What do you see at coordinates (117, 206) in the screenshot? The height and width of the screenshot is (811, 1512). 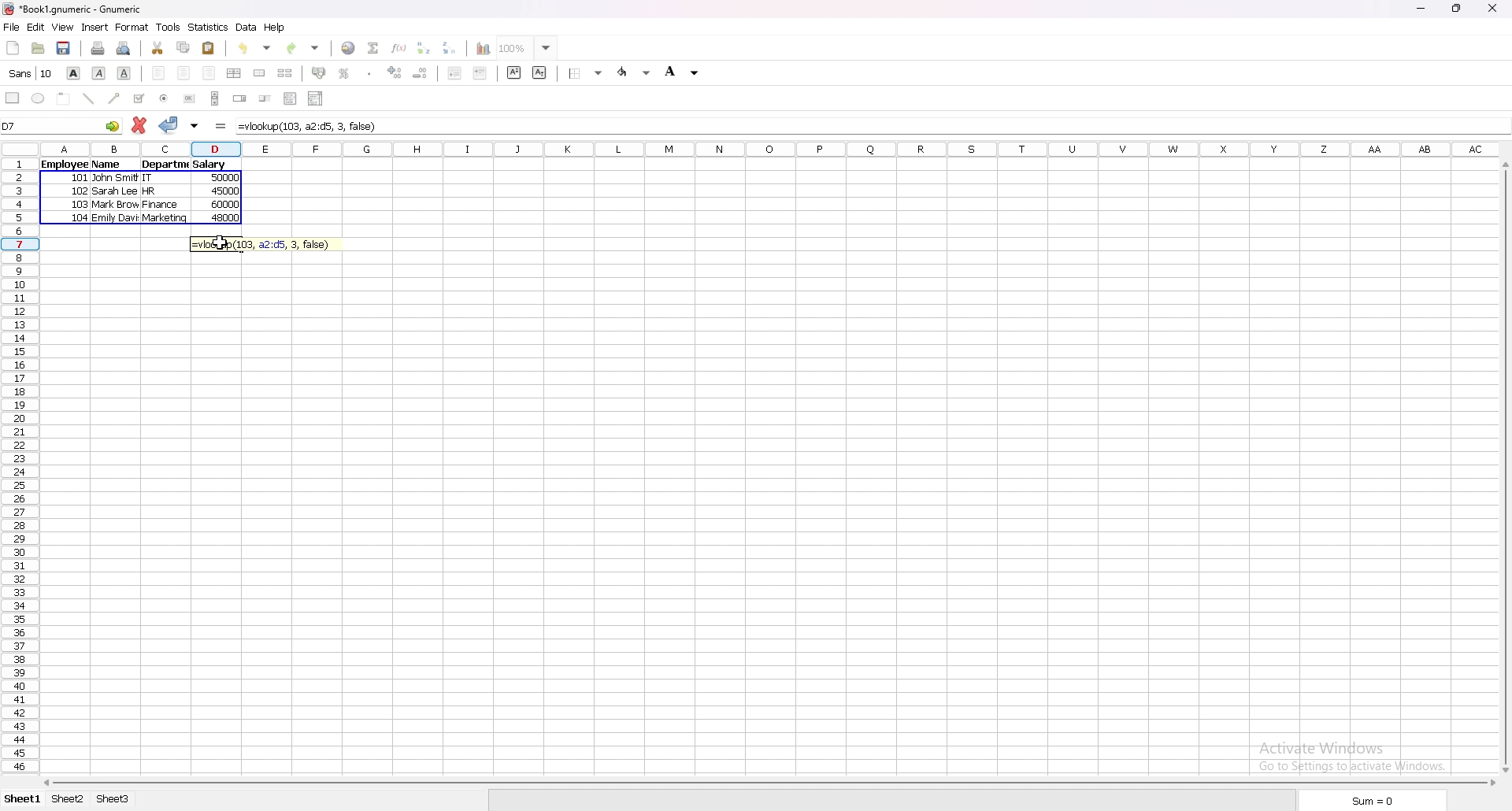 I see `mark brown` at bounding box center [117, 206].